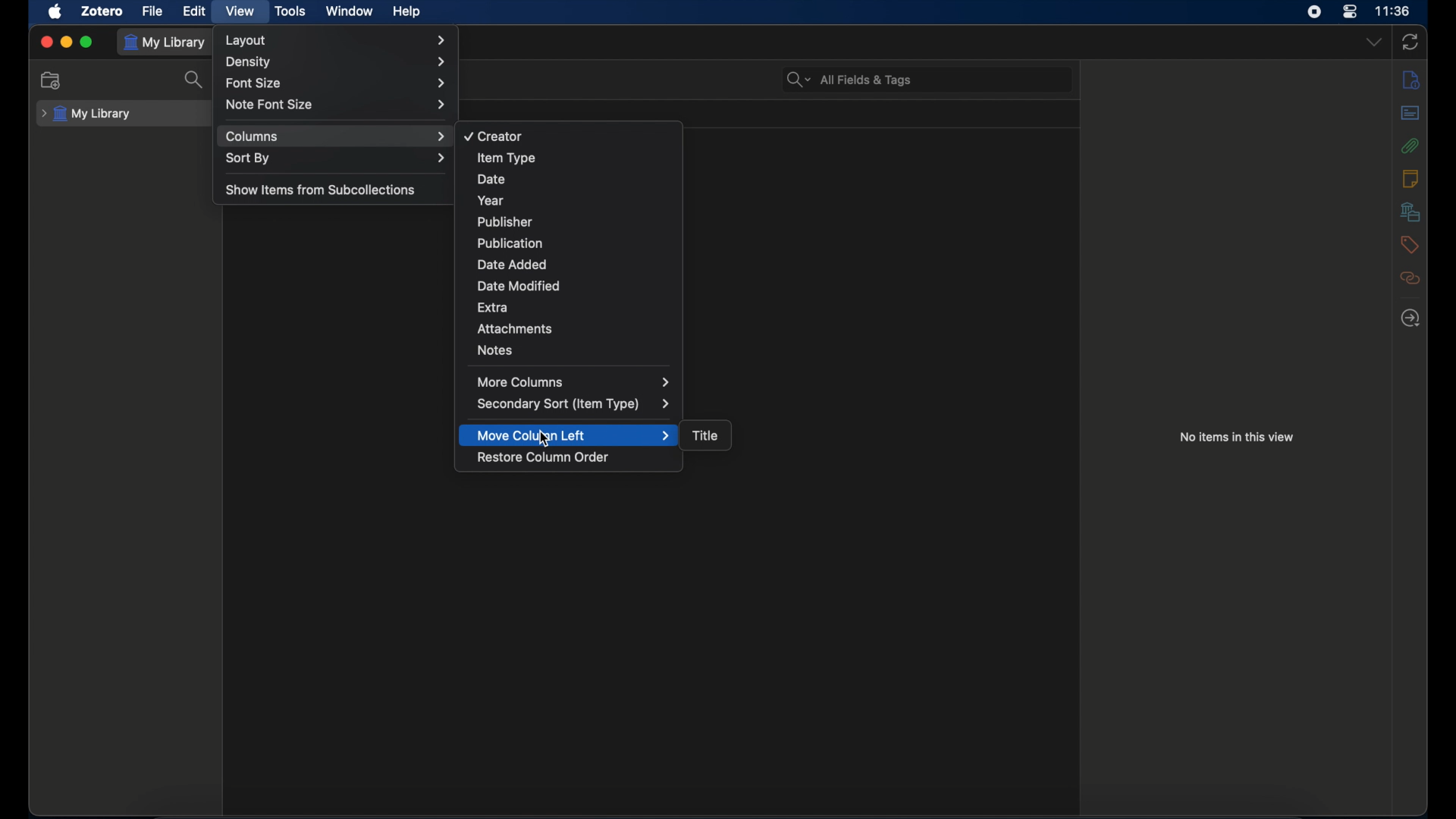 The image size is (1456, 819). I want to click on abstract, so click(1410, 113).